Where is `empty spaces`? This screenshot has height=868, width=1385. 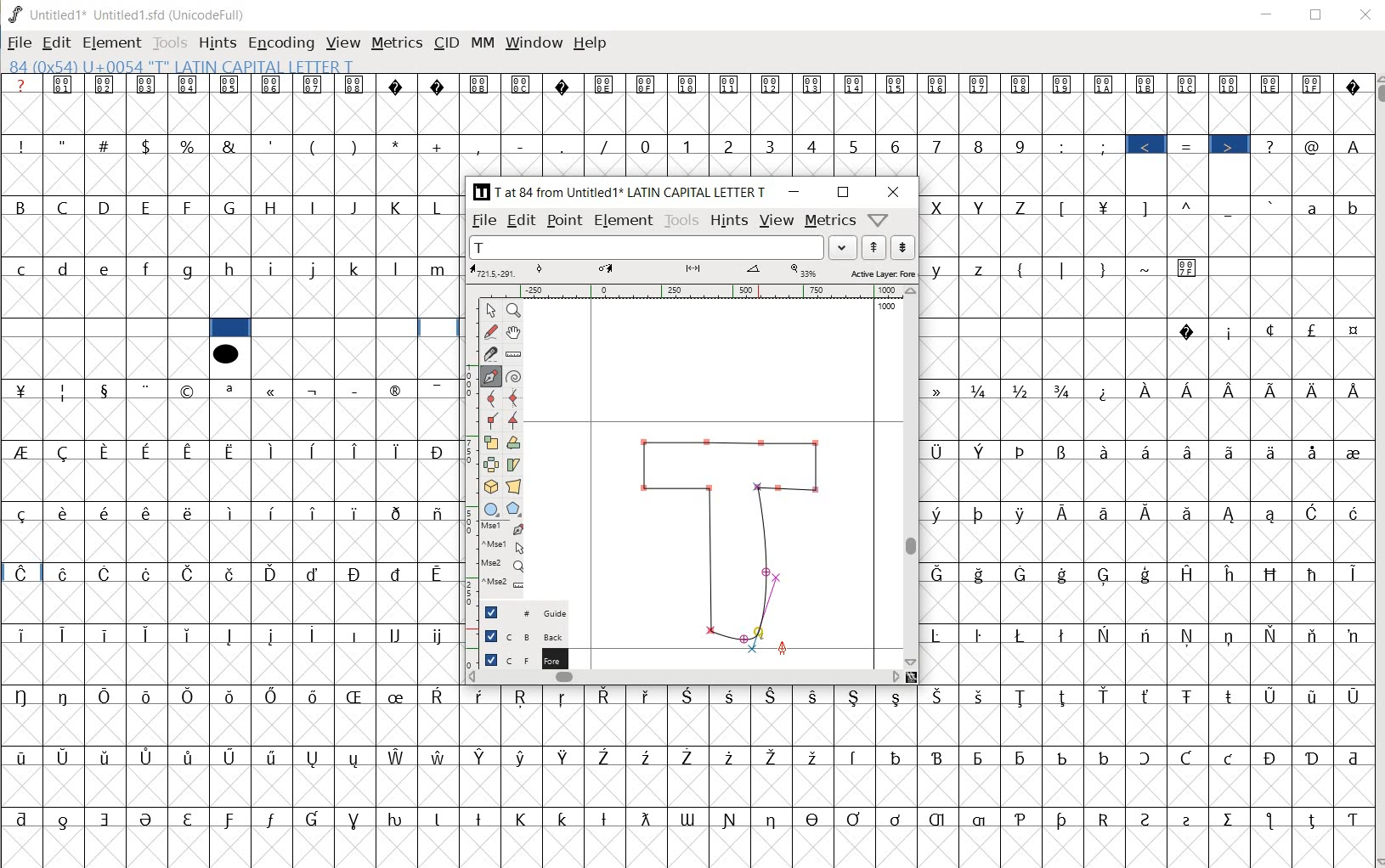
empty spaces is located at coordinates (1044, 329).